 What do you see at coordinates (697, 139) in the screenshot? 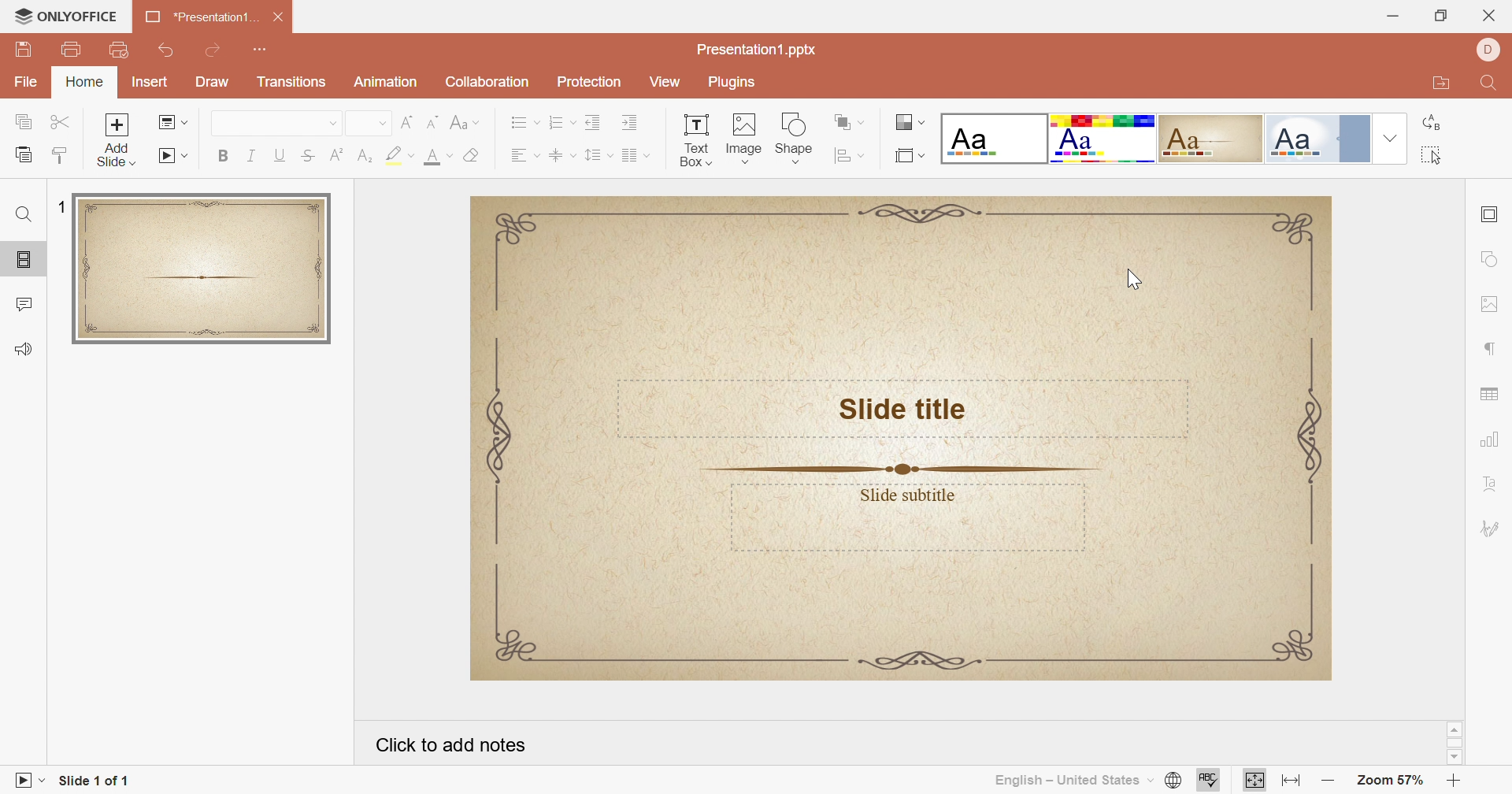
I see `Text Box` at bounding box center [697, 139].